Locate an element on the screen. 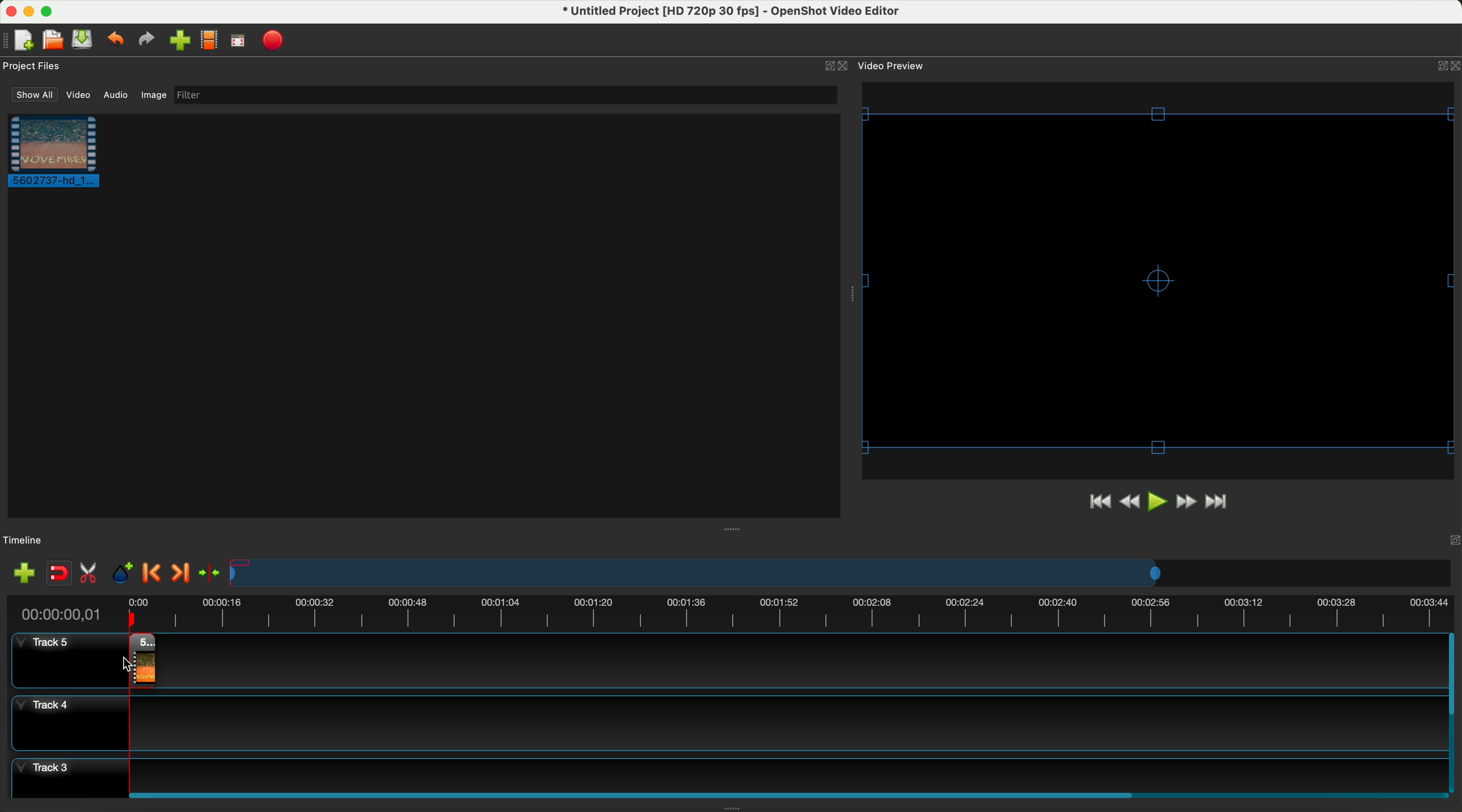 The width and height of the screenshot is (1462, 812). export video is located at coordinates (274, 40).